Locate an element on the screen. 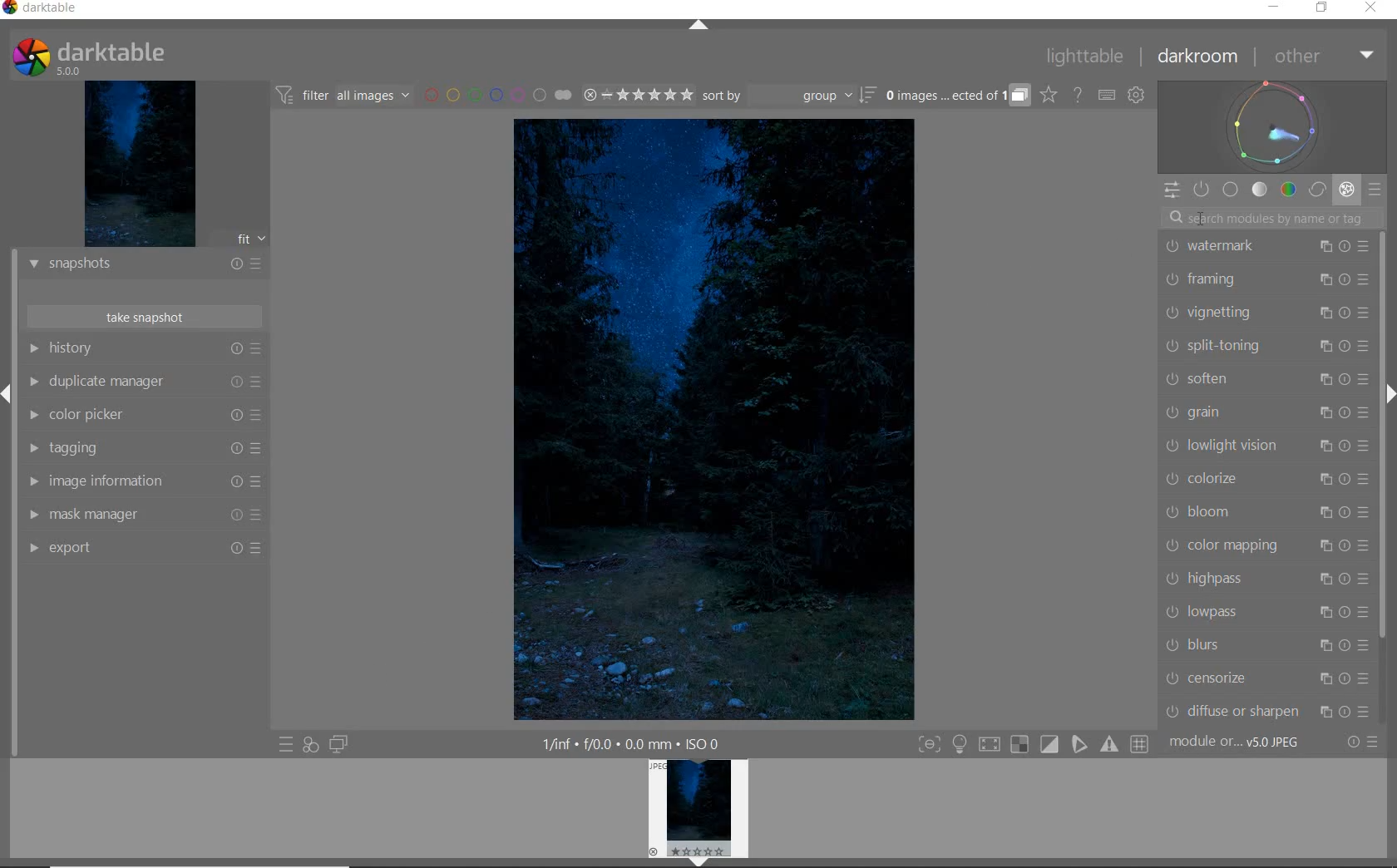  RESTORE is located at coordinates (1322, 8).